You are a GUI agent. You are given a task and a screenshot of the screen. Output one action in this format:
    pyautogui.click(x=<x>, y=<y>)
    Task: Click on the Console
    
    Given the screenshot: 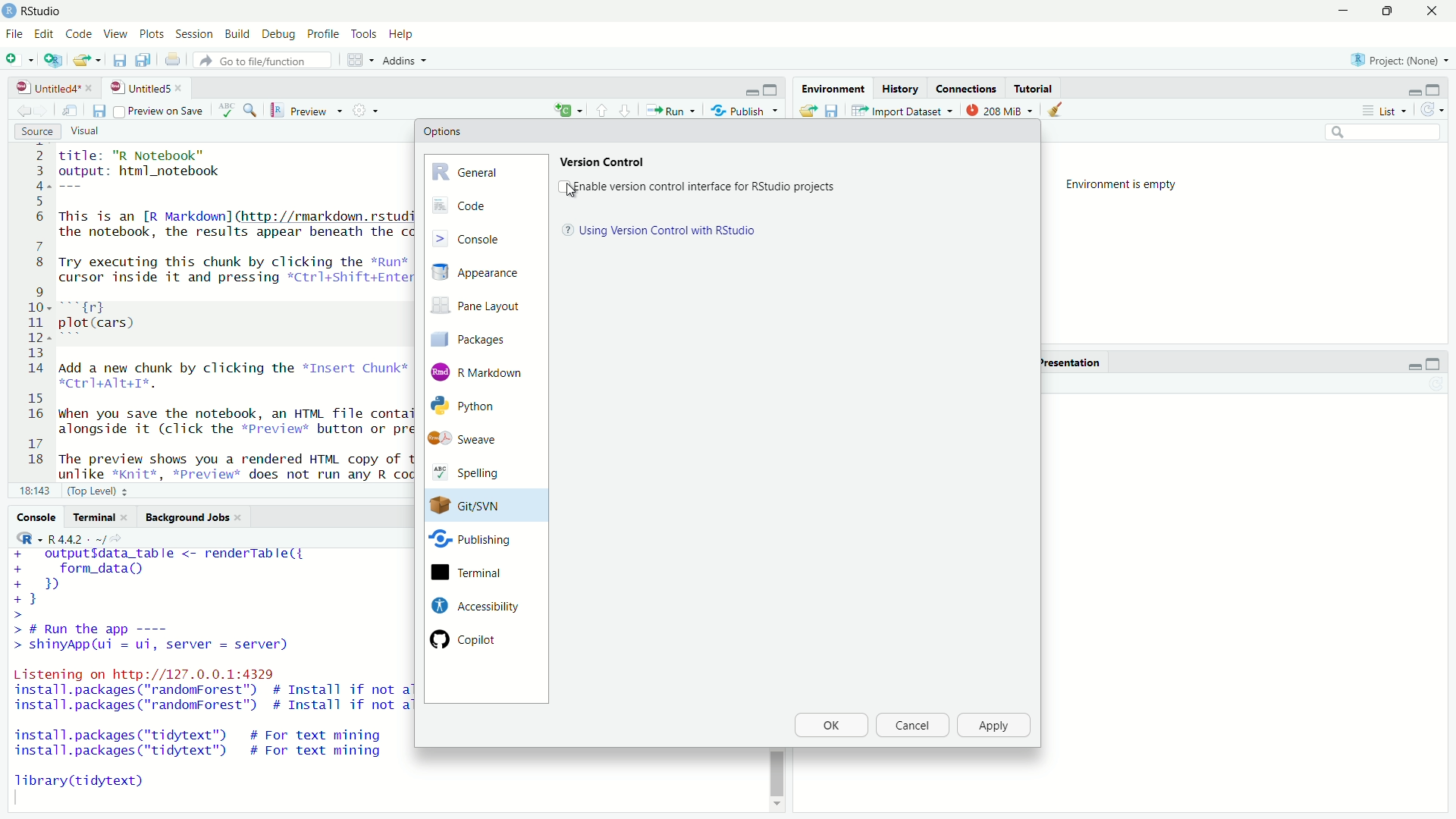 What is the action you would take?
    pyautogui.click(x=36, y=516)
    